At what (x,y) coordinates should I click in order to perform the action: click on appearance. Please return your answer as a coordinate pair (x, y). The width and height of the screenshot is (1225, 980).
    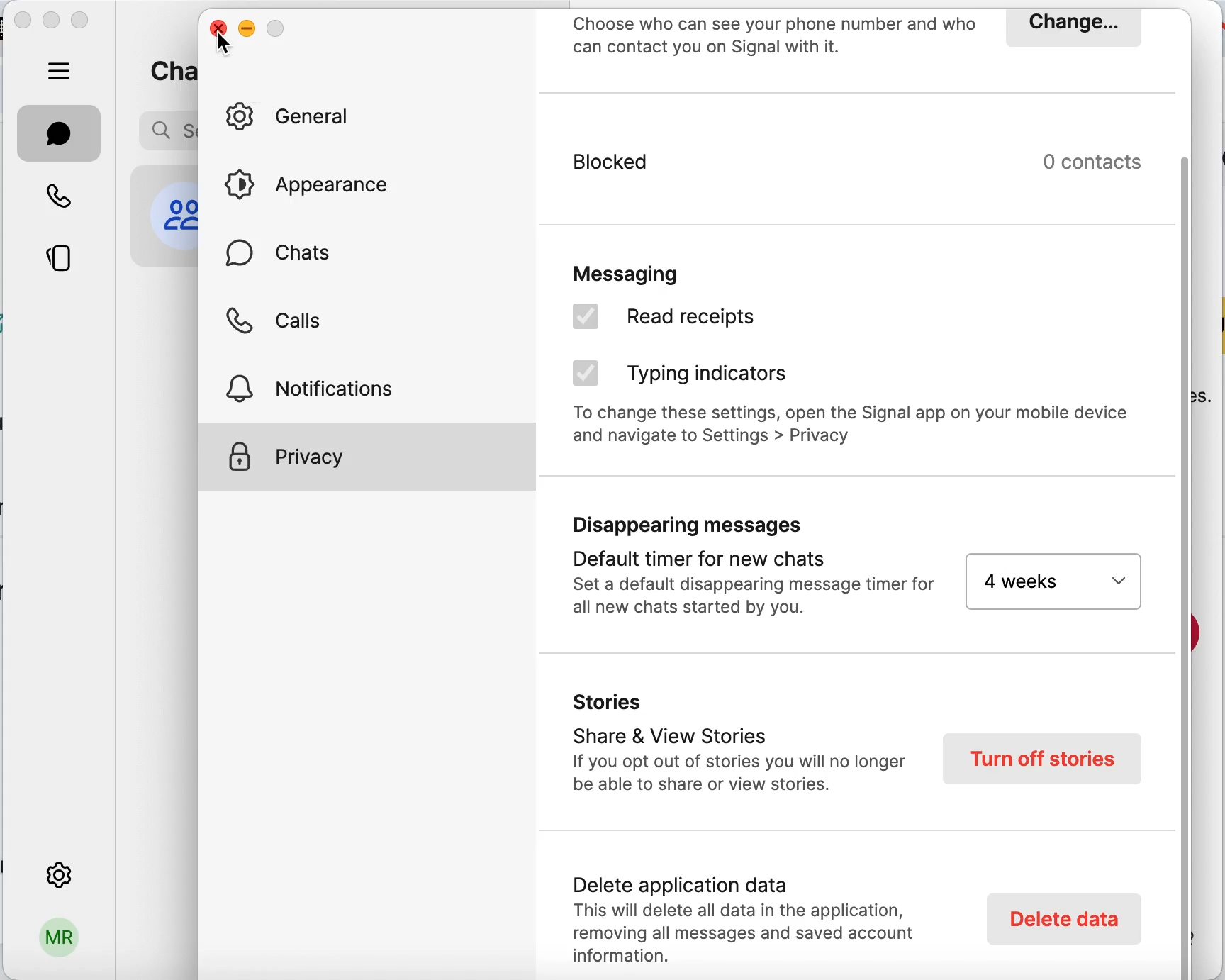
    Looking at the image, I should click on (318, 184).